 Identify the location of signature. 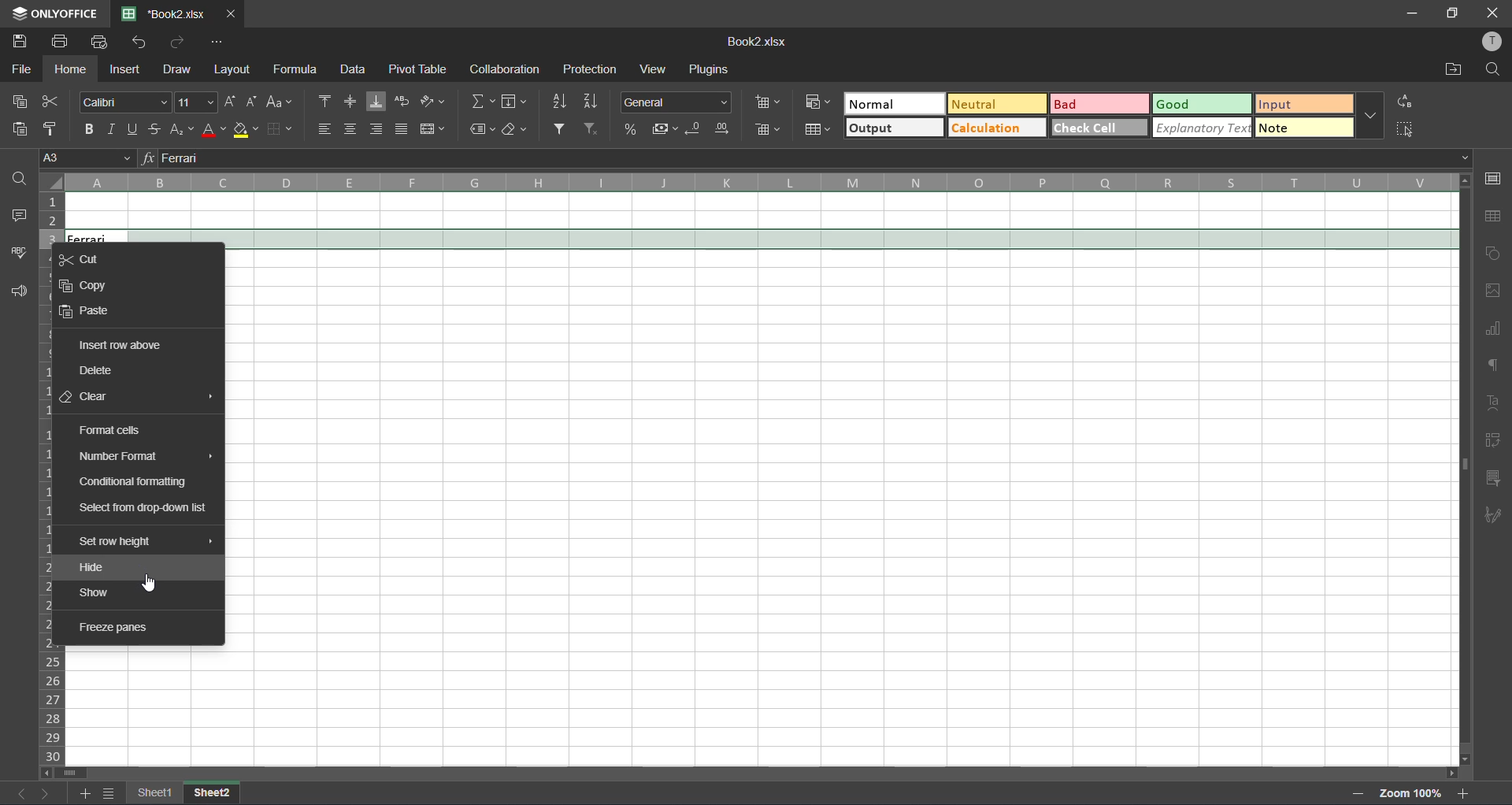
(1495, 517).